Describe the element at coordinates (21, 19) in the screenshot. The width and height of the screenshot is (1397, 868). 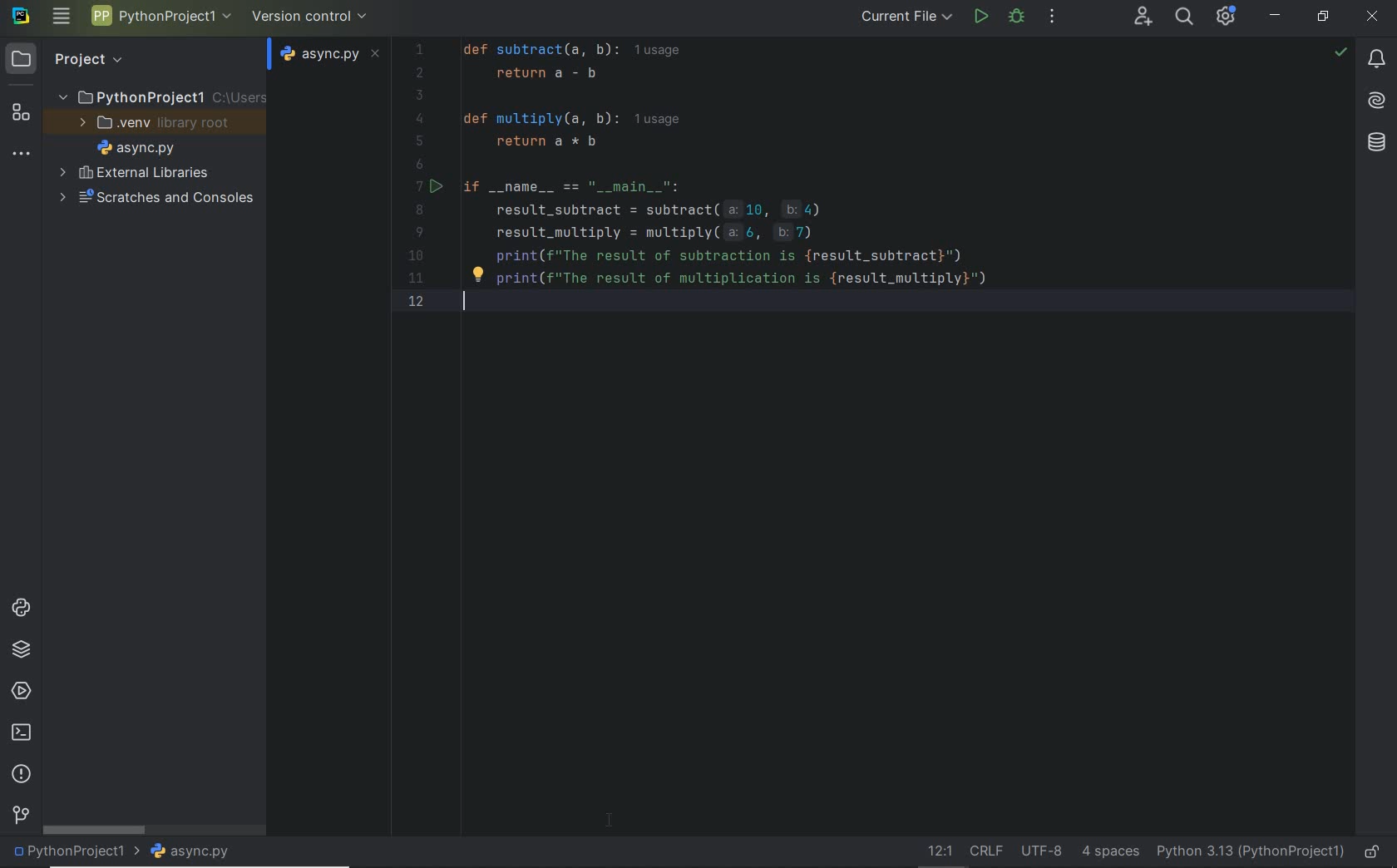
I see `system name` at that location.